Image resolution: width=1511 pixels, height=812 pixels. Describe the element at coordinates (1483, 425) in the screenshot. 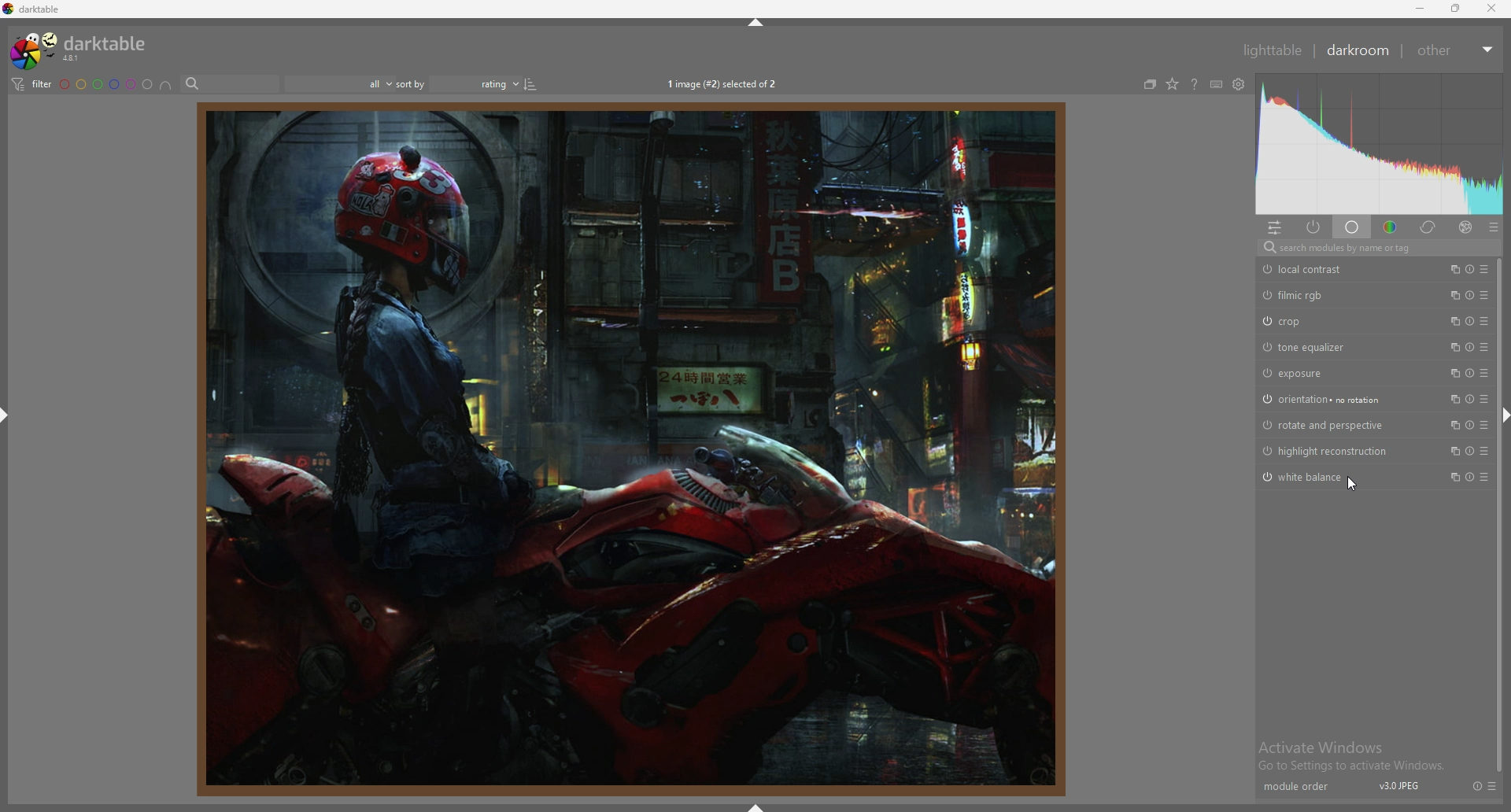

I see `presets` at that location.